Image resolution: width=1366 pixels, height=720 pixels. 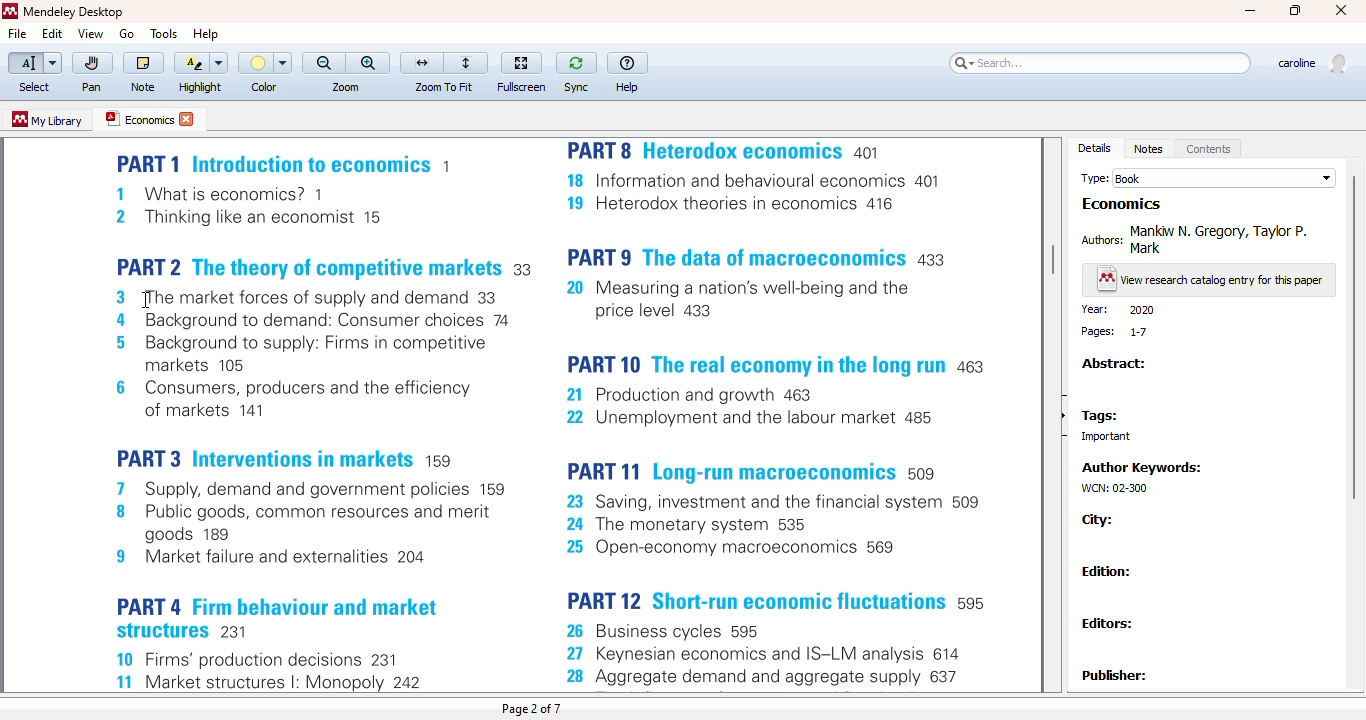 I want to click on view research catalog entry for this paper, so click(x=1210, y=281).